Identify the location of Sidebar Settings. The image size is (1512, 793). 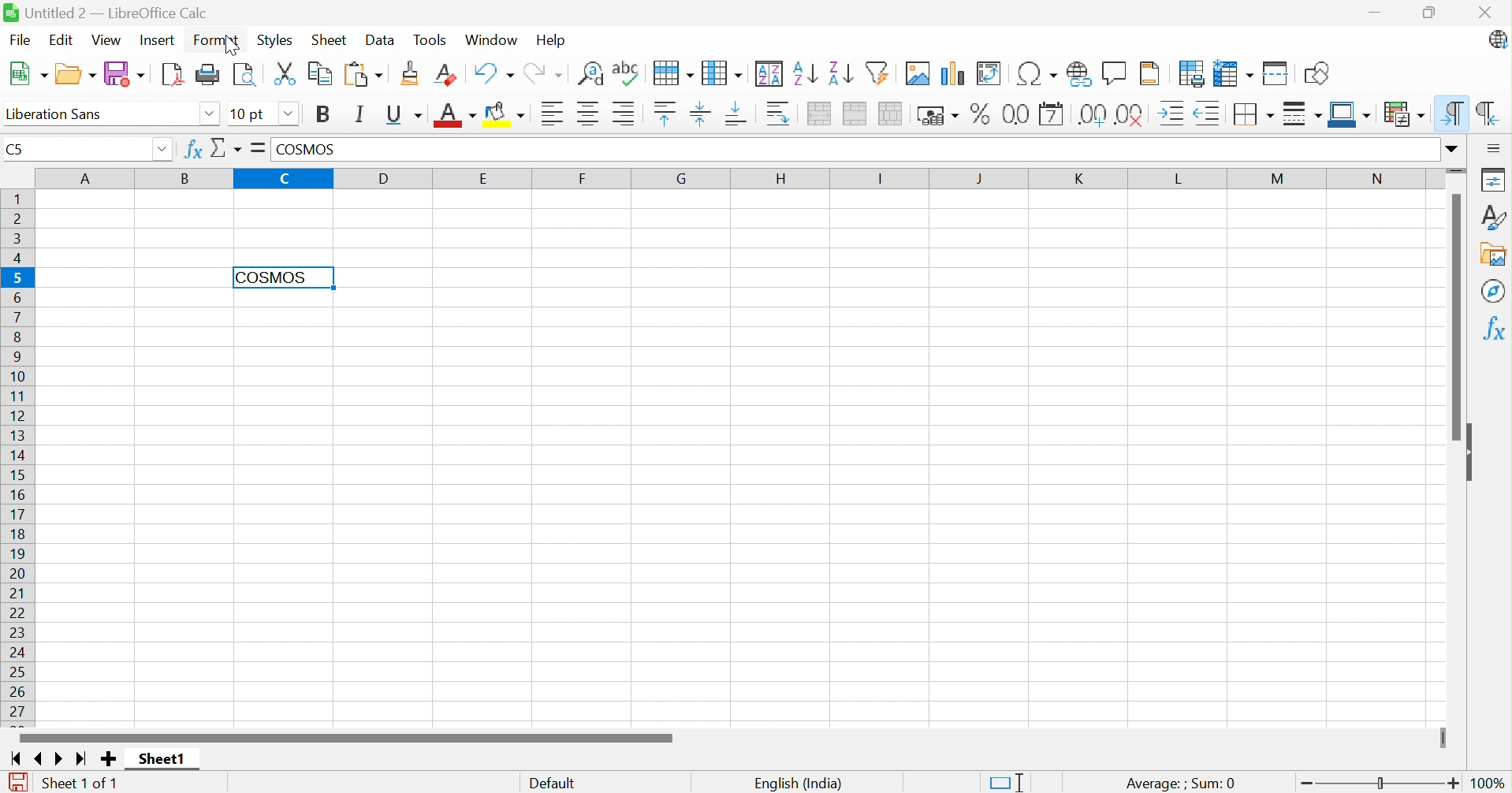
(1496, 145).